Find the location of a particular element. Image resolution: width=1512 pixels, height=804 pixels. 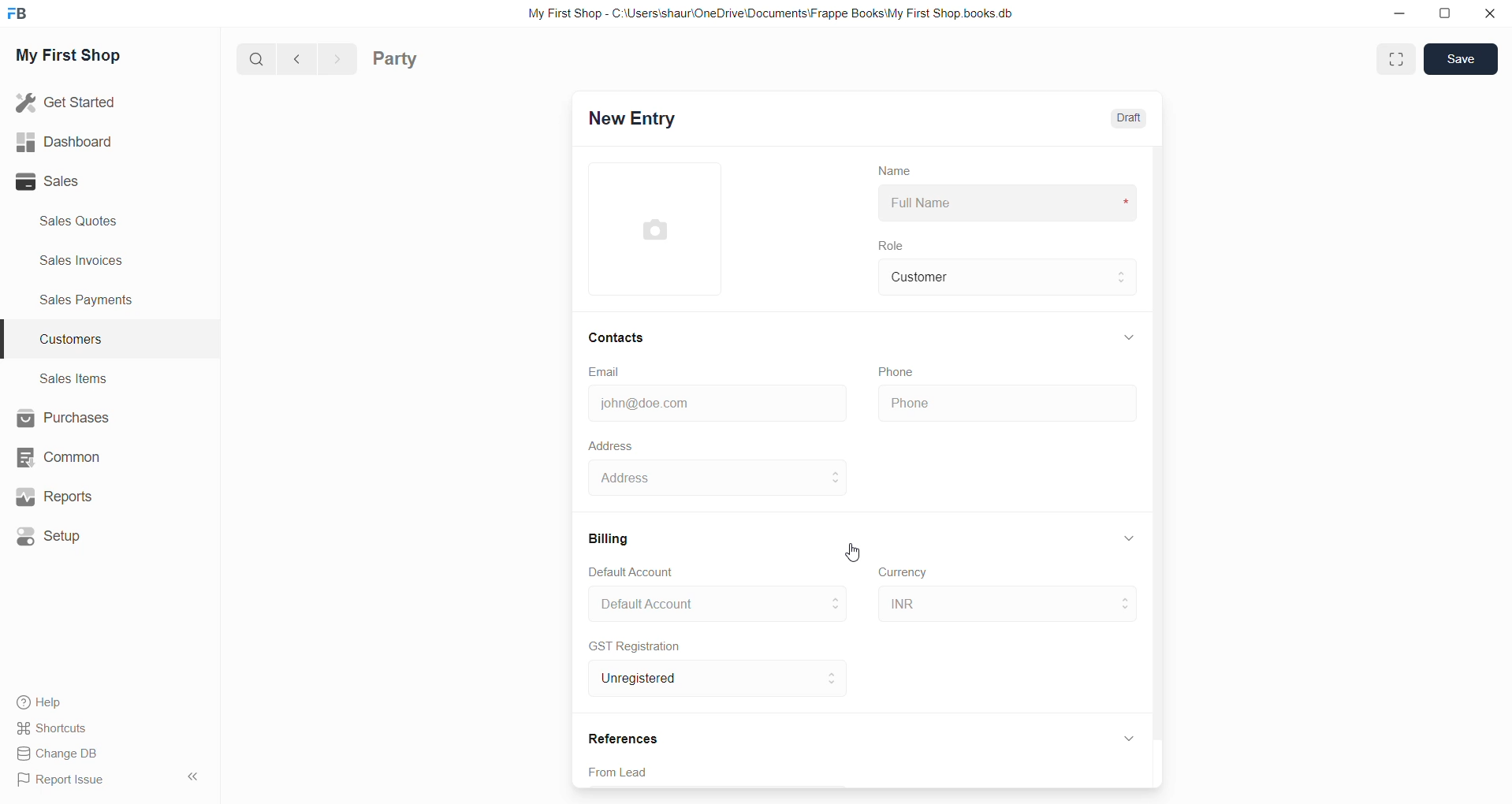

hide billings is located at coordinates (1128, 538).